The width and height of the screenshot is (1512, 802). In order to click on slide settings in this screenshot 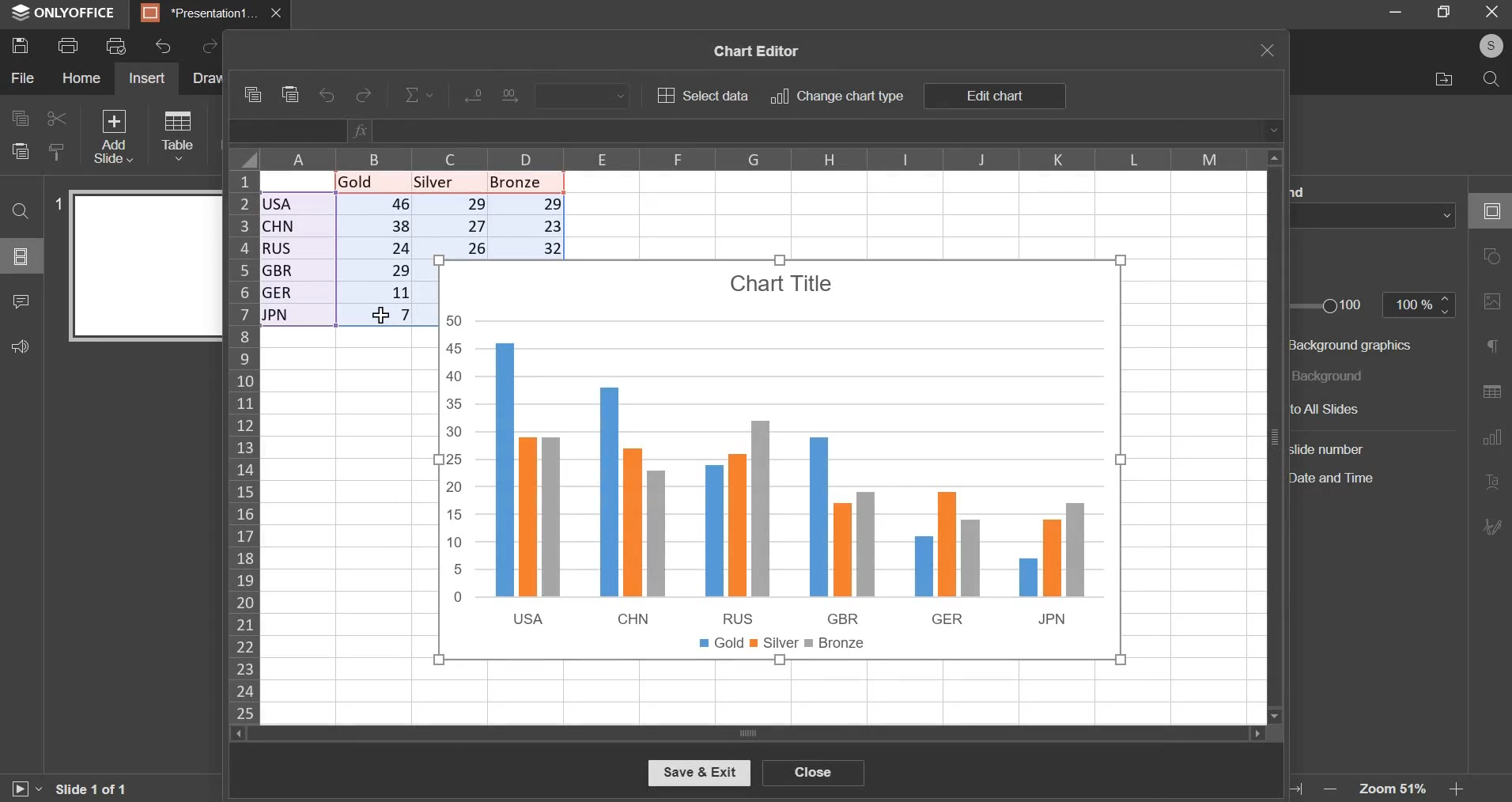, I will do `click(1489, 208)`.